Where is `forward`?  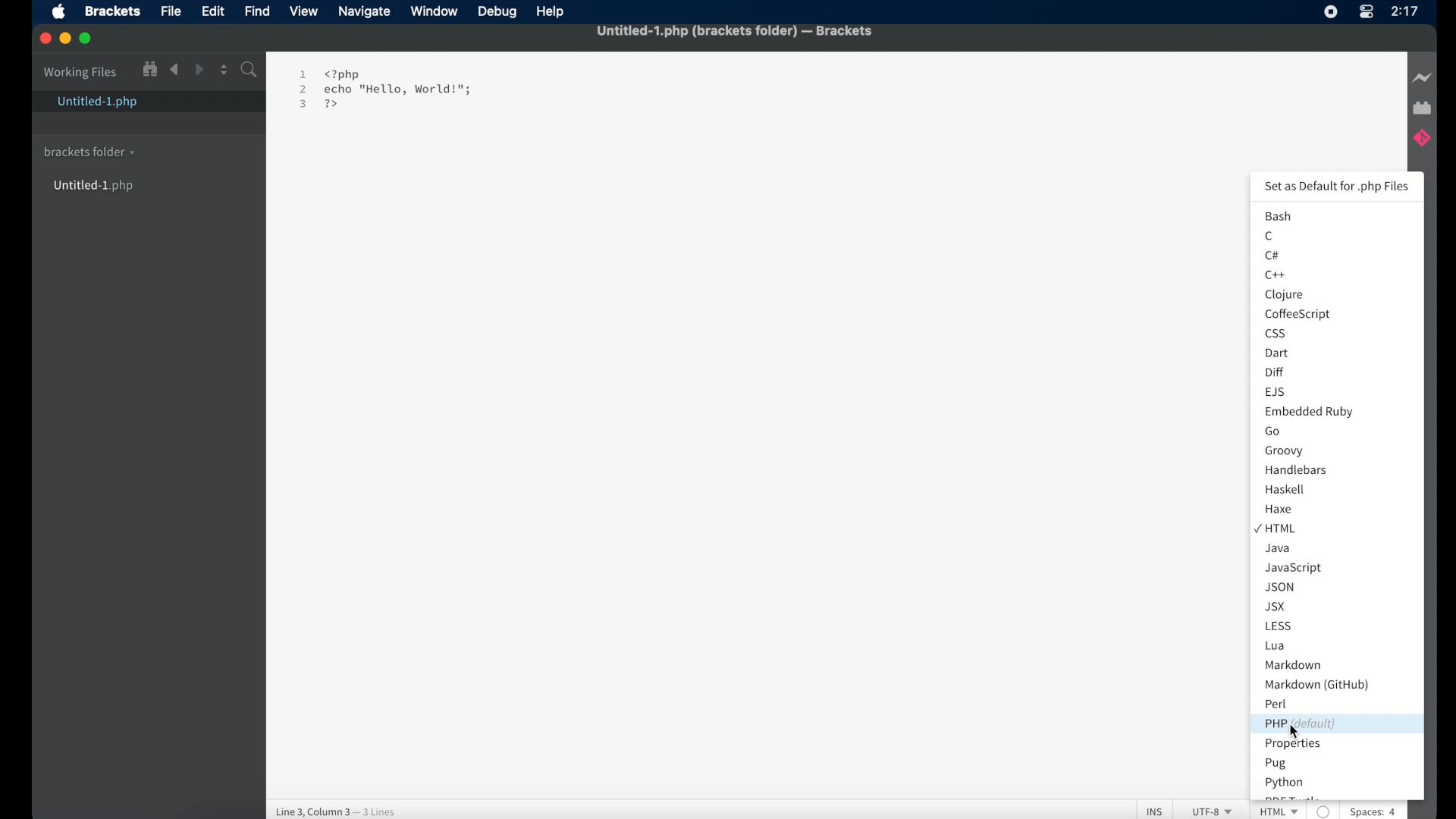
forward is located at coordinates (198, 69).